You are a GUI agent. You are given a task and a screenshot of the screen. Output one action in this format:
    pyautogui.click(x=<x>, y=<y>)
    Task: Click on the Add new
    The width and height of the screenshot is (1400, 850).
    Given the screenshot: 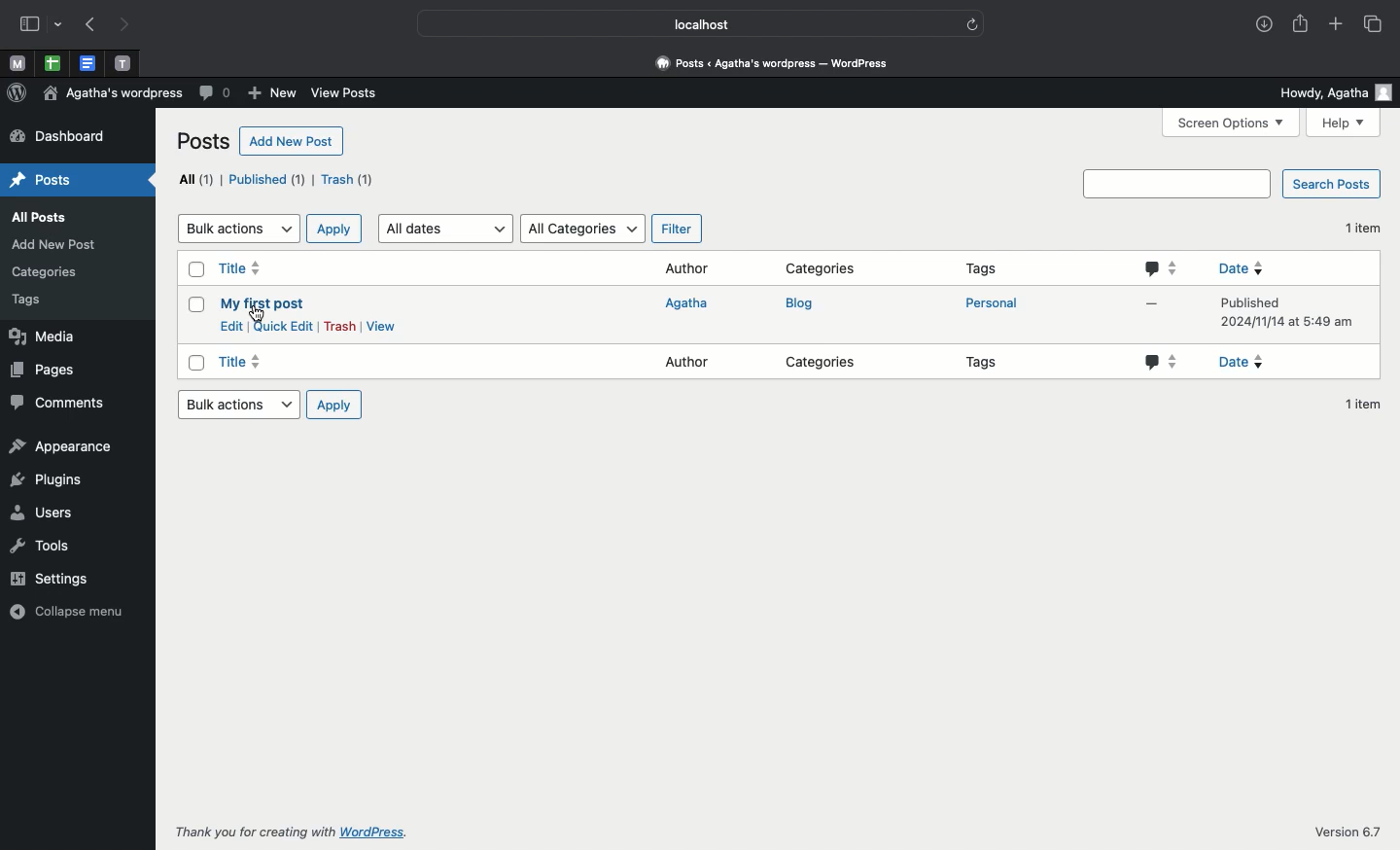 What is the action you would take?
    pyautogui.click(x=272, y=94)
    